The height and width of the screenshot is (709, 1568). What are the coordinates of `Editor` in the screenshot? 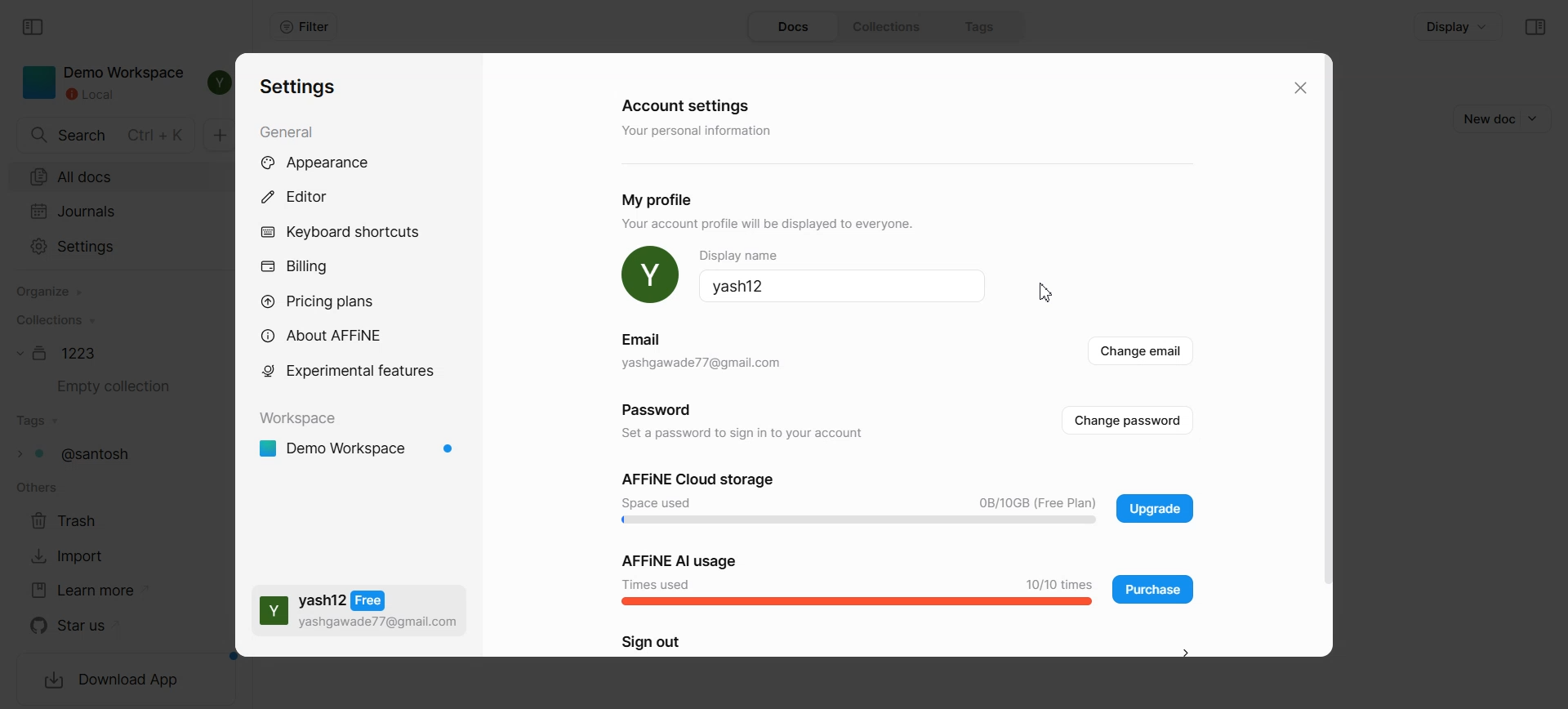 It's located at (305, 196).